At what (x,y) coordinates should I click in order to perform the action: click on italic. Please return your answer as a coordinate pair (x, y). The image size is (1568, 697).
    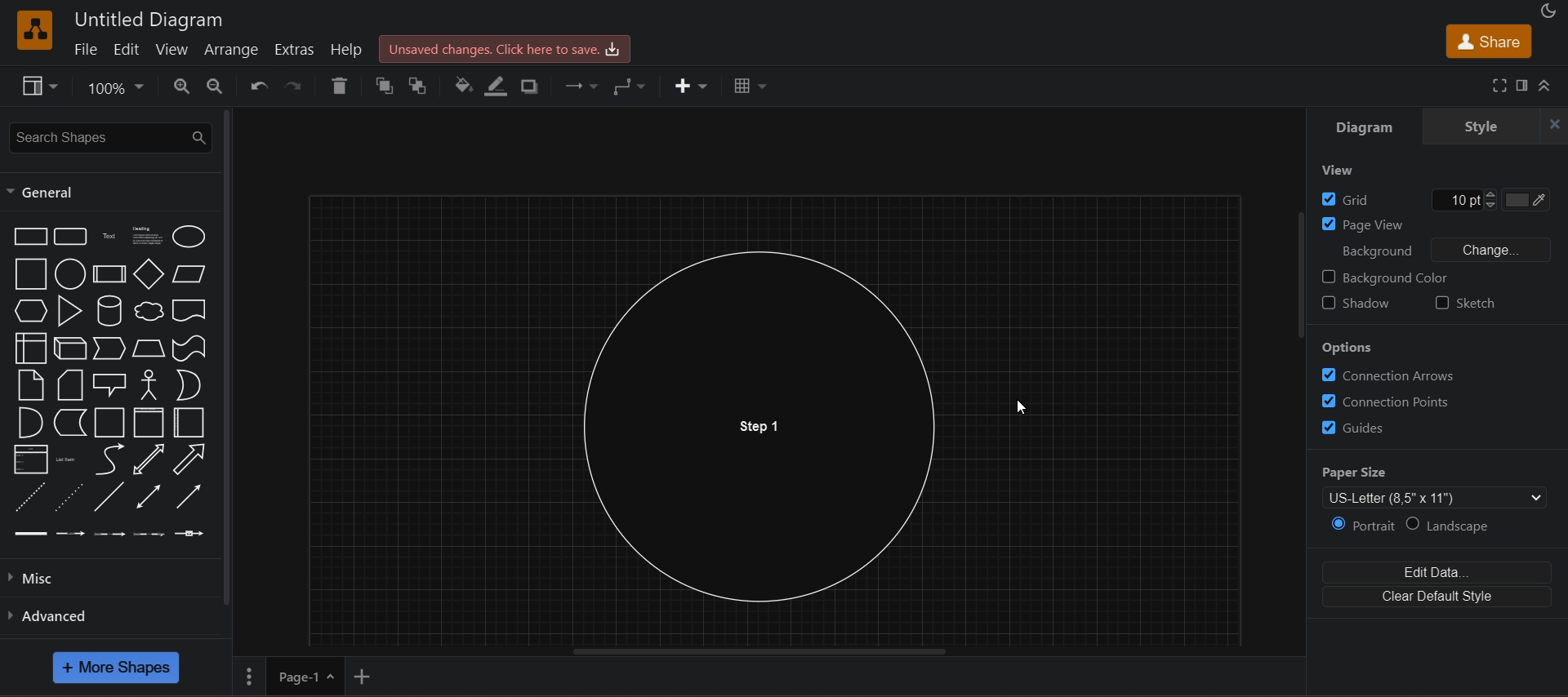
    Looking at the image, I should click on (414, 85).